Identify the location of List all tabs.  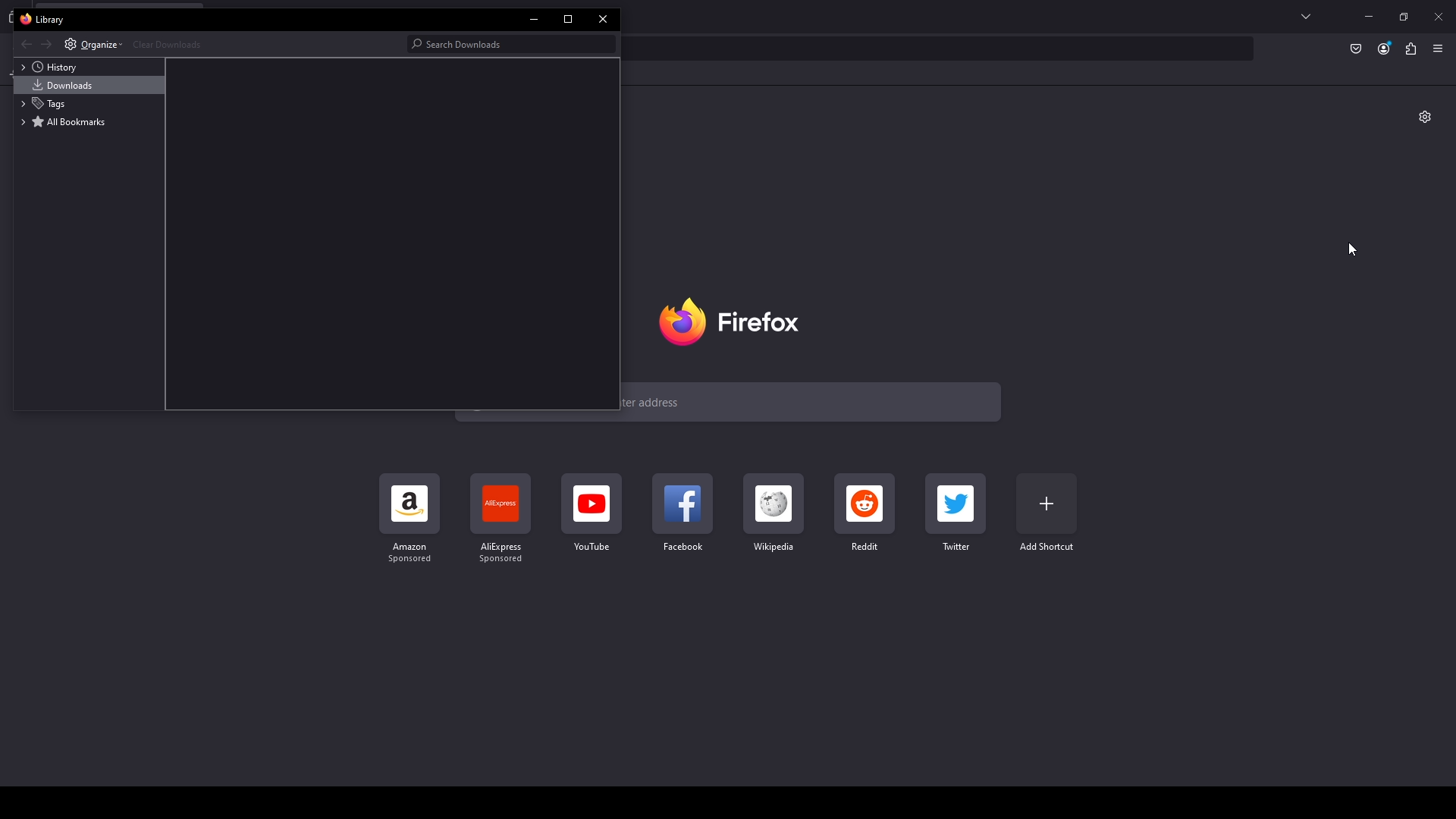
(1307, 17).